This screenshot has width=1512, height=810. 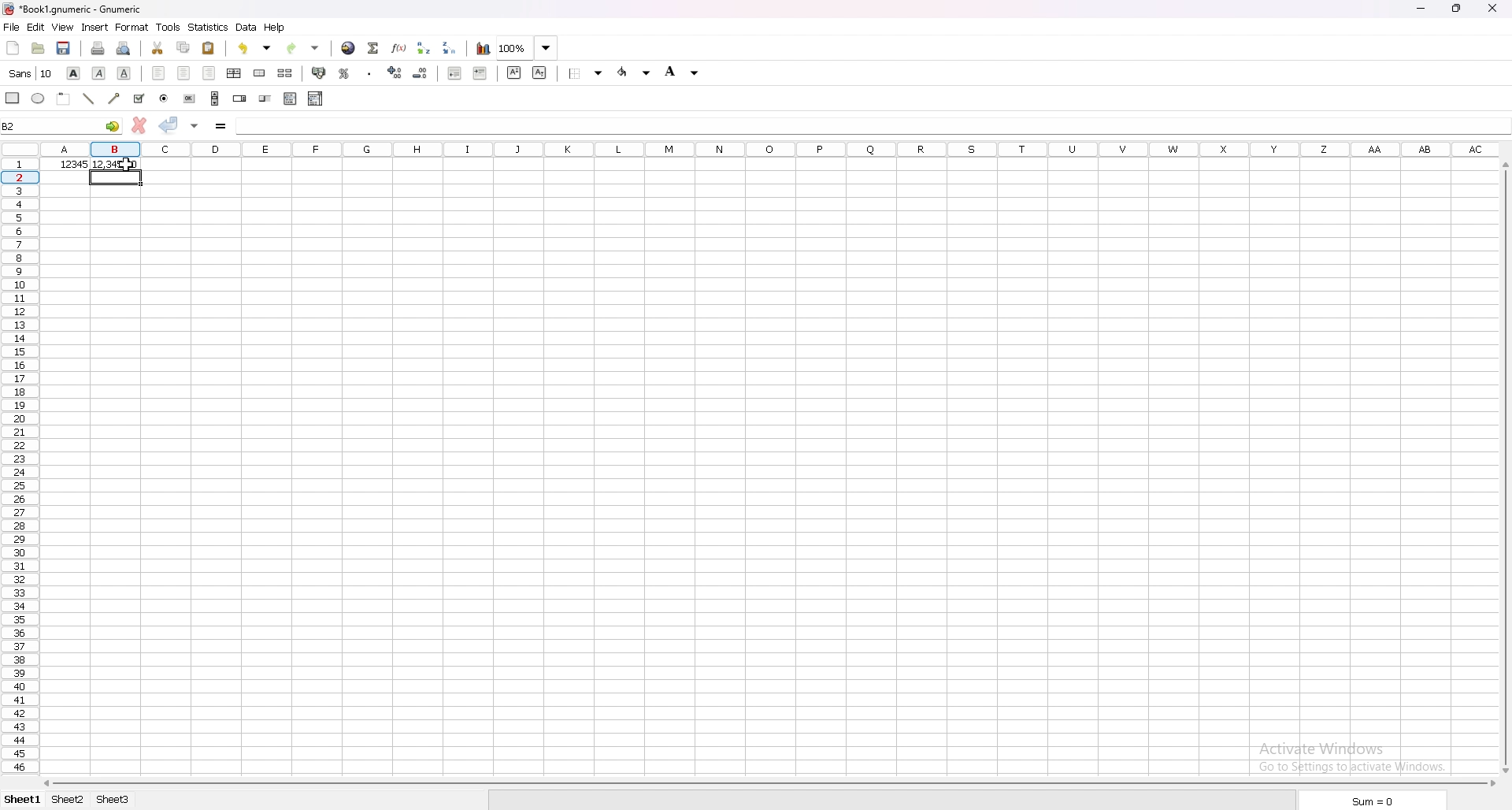 What do you see at coordinates (254, 47) in the screenshot?
I see `undo` at bounding box center [254, 47].